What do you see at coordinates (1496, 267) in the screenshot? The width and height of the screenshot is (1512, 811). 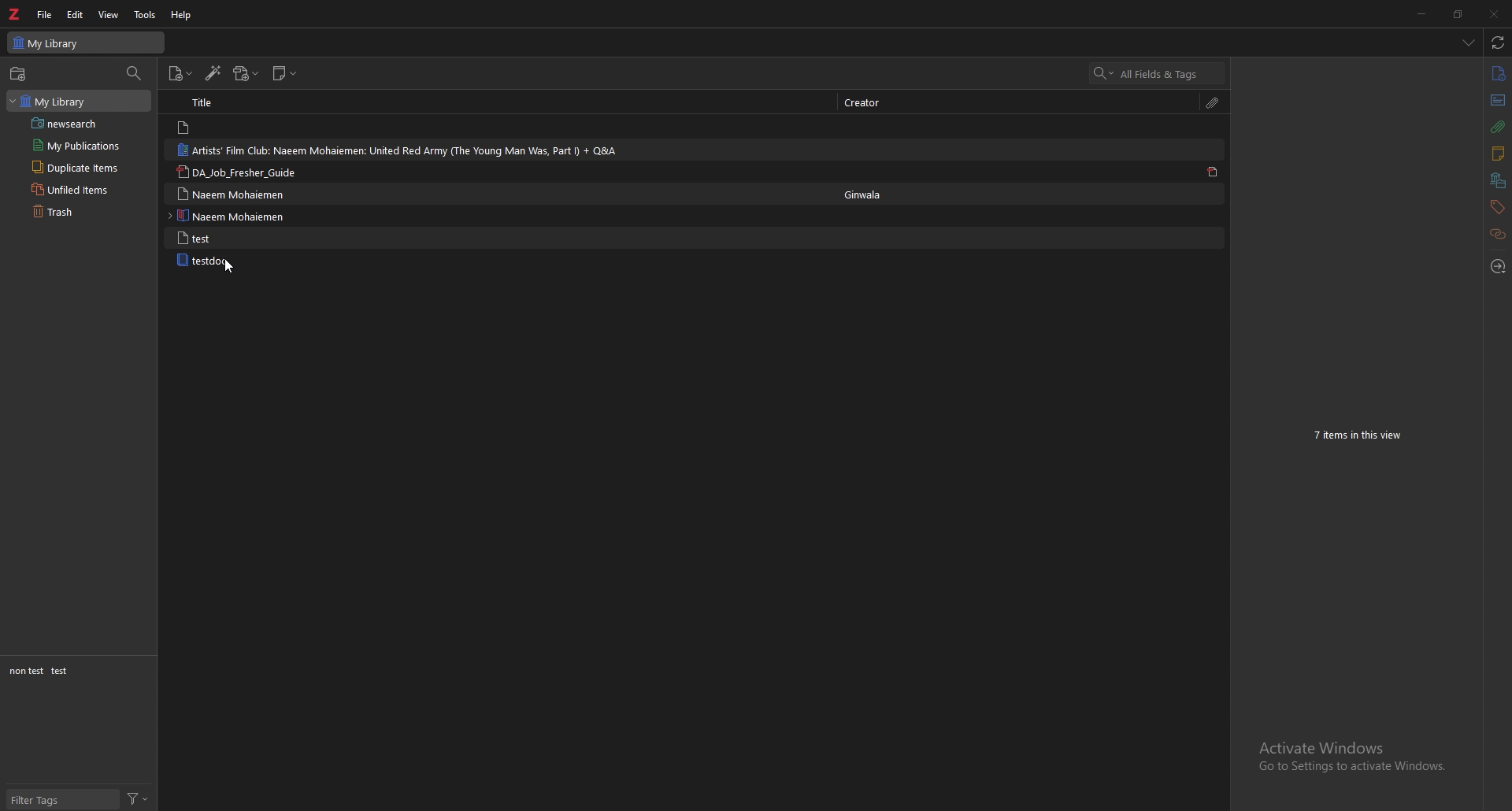 I see `locate` at bounding box center [1496, 267].